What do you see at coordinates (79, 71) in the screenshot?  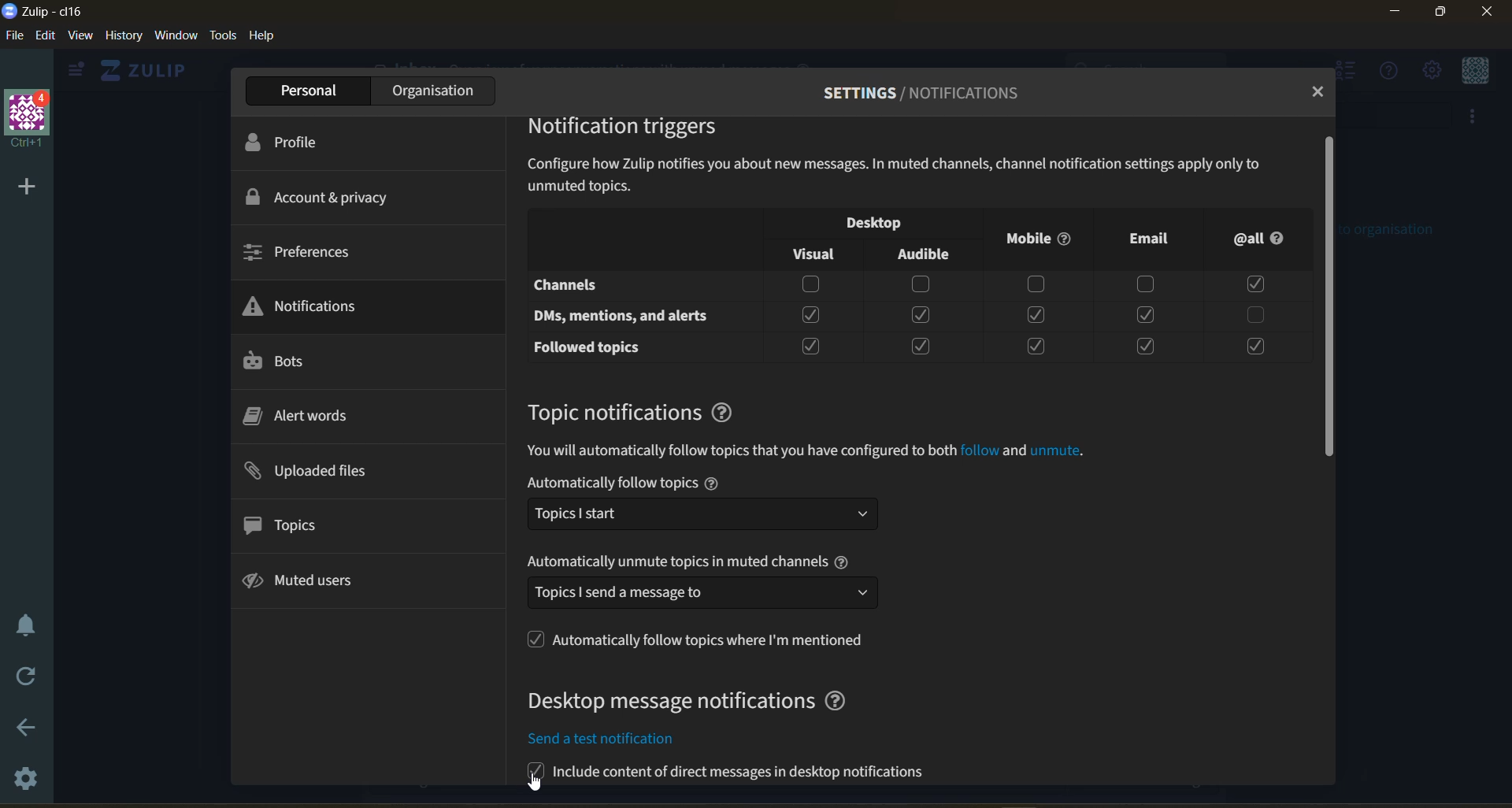 I see `view side bar` at bounding box center [79, 71].